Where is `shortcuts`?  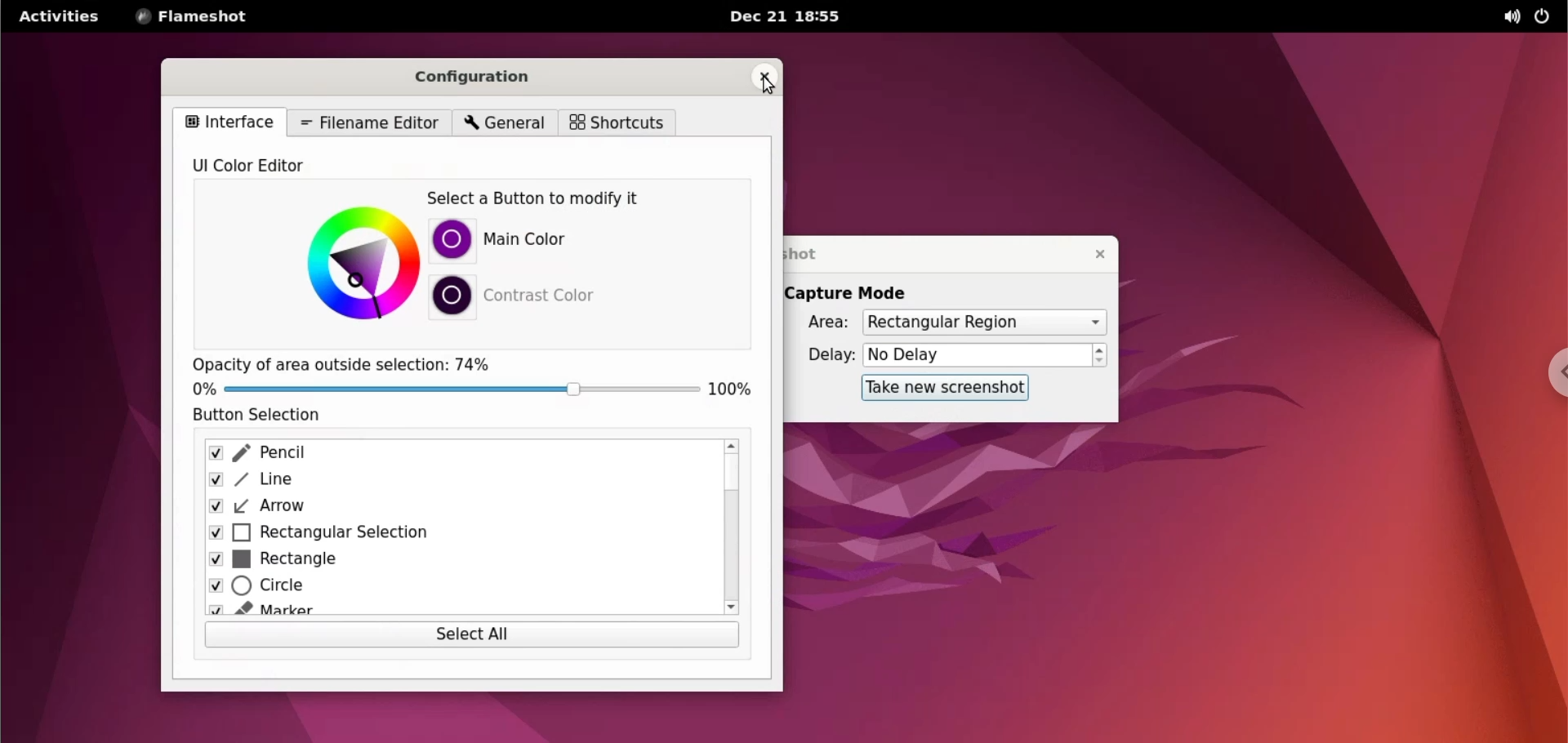 shortcuts is located at coordinates (615, 122).